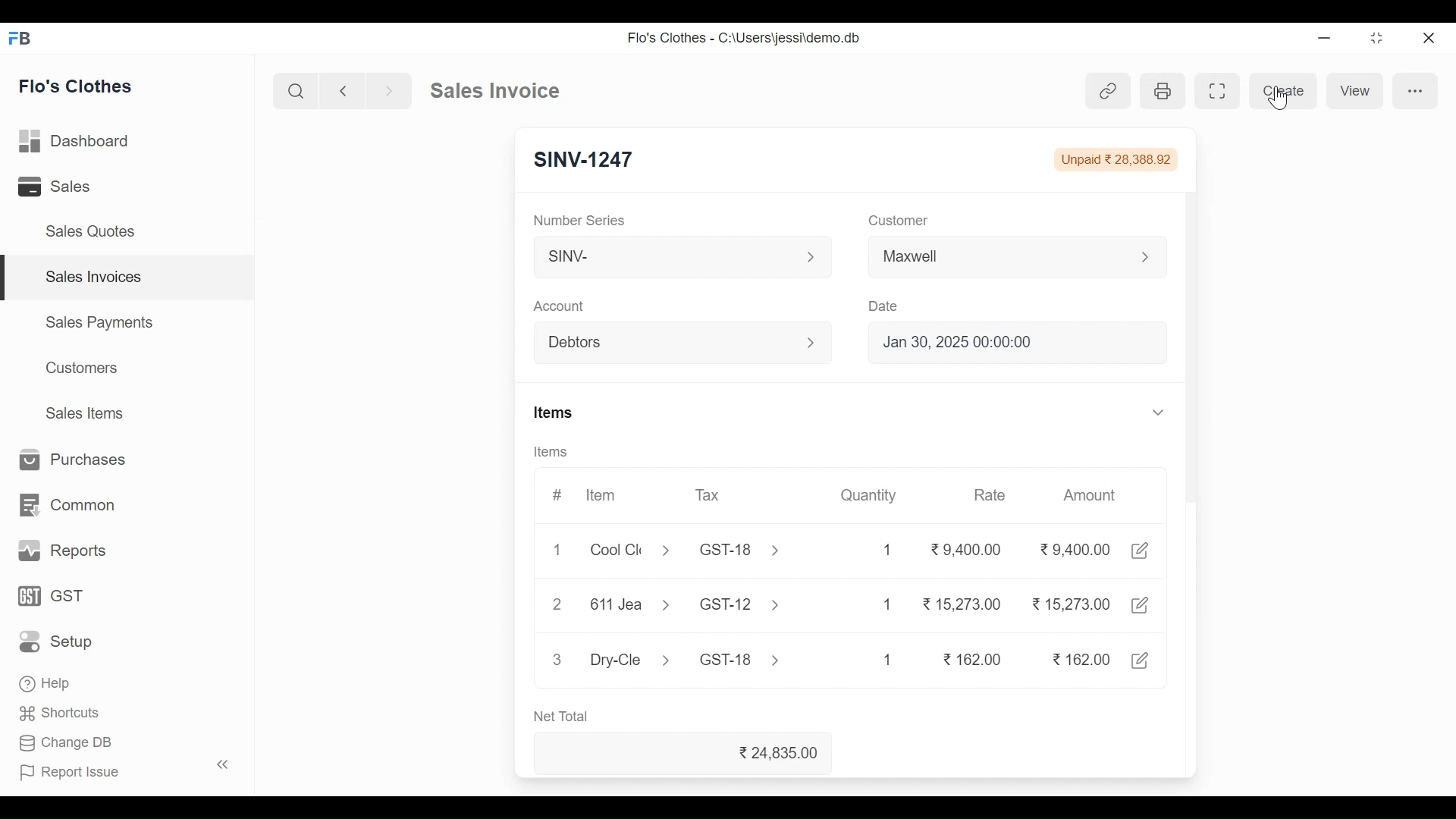  Describe the element at coordinates (385, 91) in the screenshot. I see `Go Forward` at that location.